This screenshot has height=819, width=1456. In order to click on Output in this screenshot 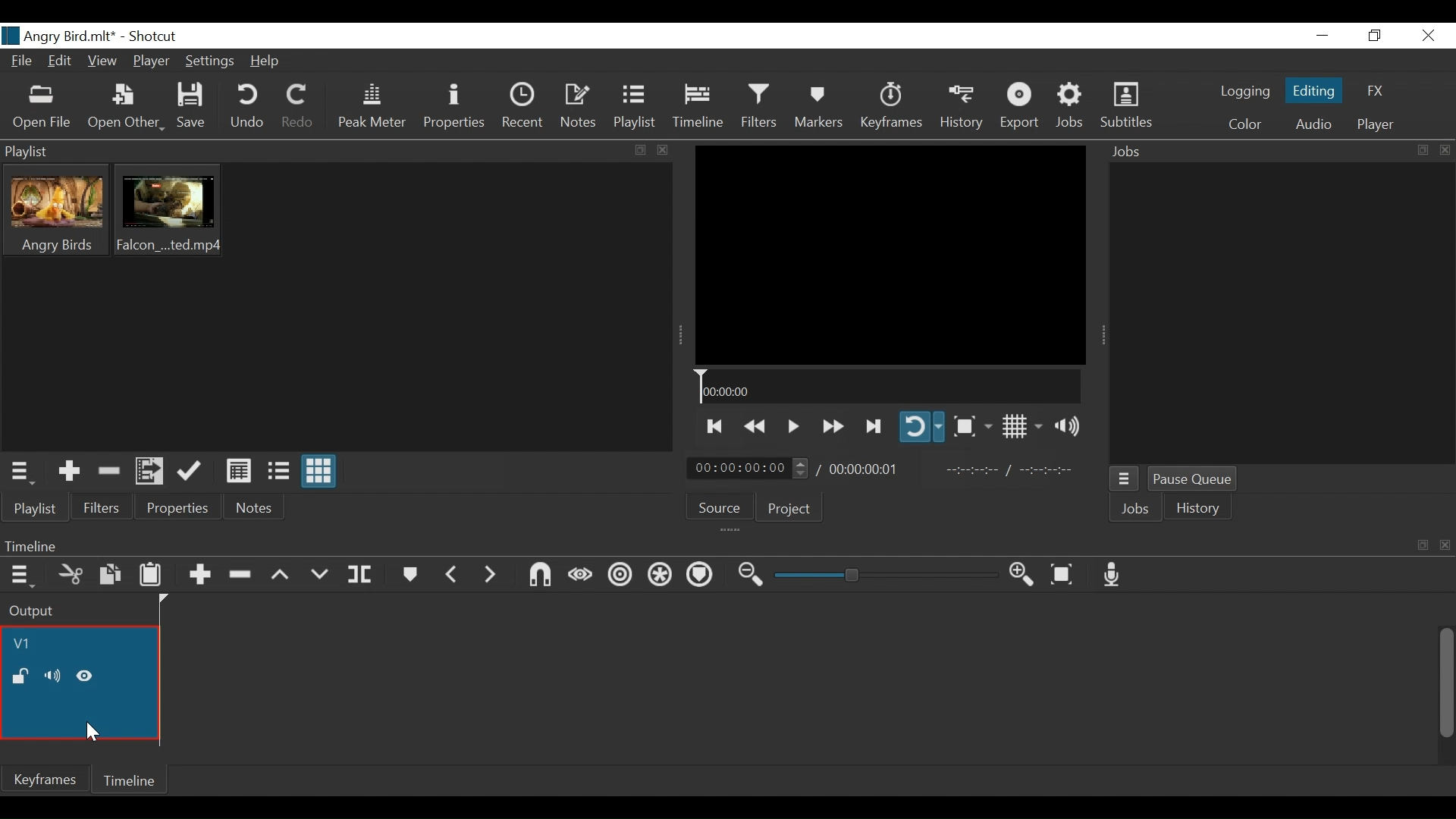, I will do `click(78, 610)`.